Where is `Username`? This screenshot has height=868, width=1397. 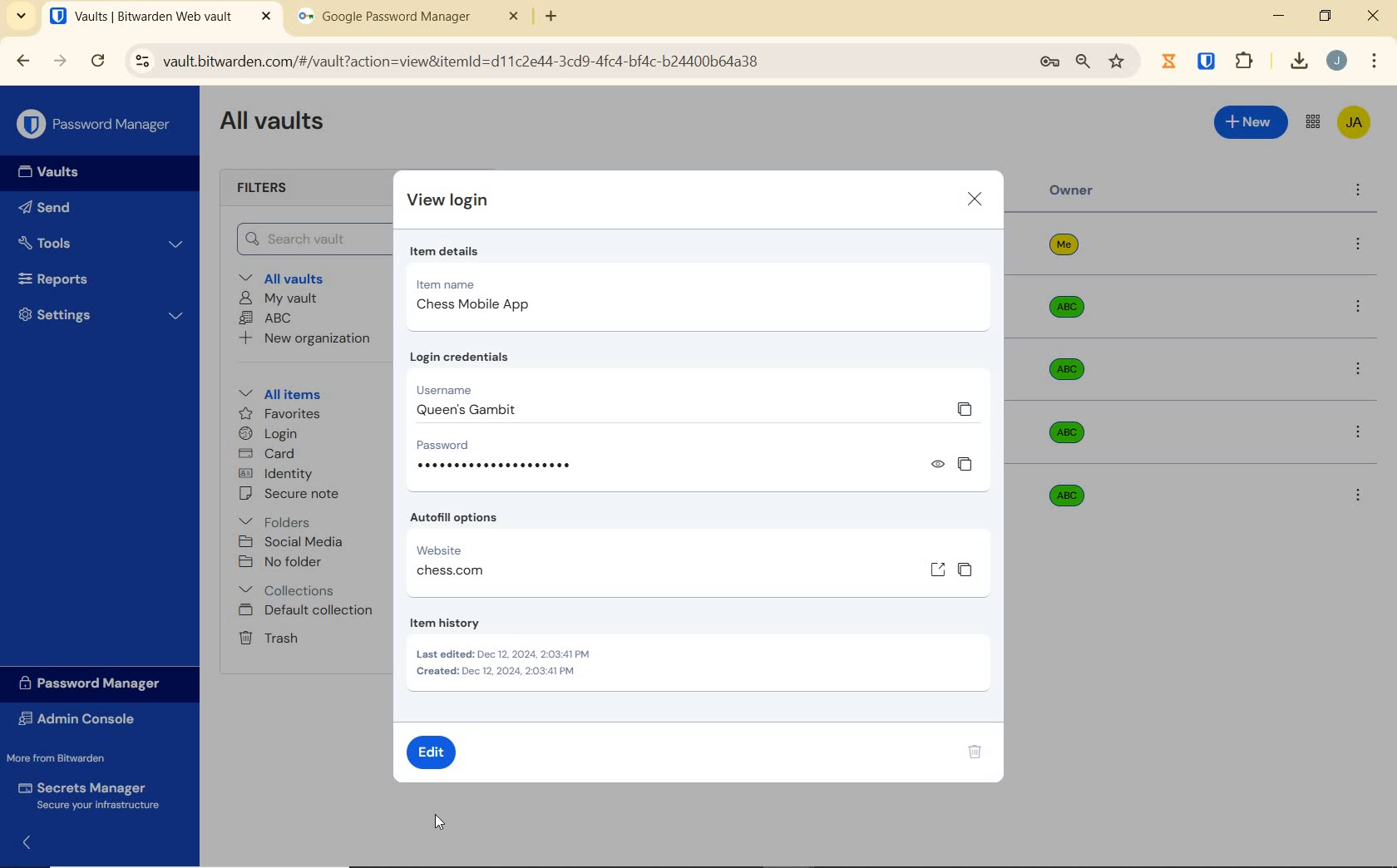
Username is located at coordinates (455, 388).